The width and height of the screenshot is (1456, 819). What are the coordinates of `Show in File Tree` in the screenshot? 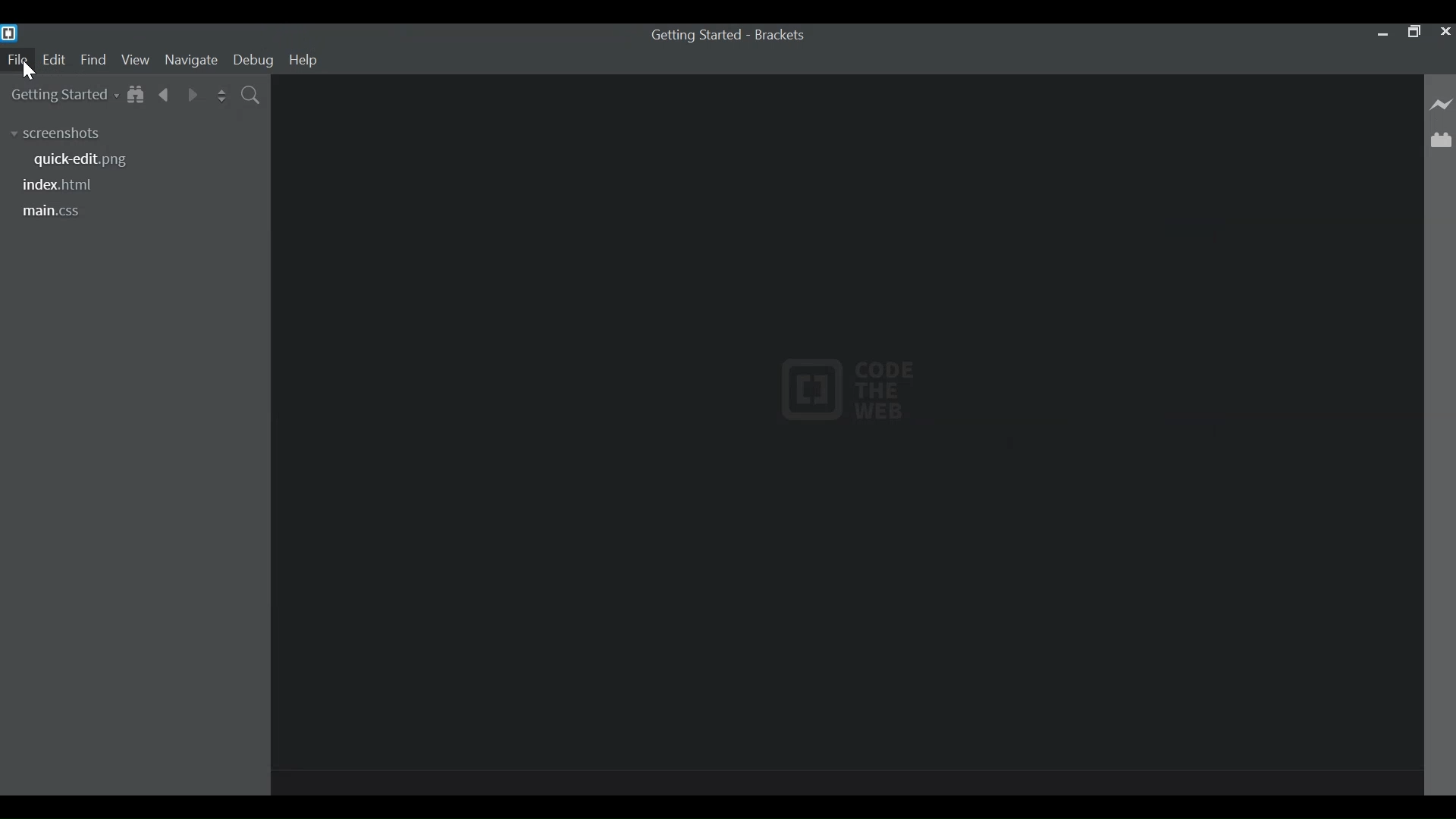 It's located at (139, 94).